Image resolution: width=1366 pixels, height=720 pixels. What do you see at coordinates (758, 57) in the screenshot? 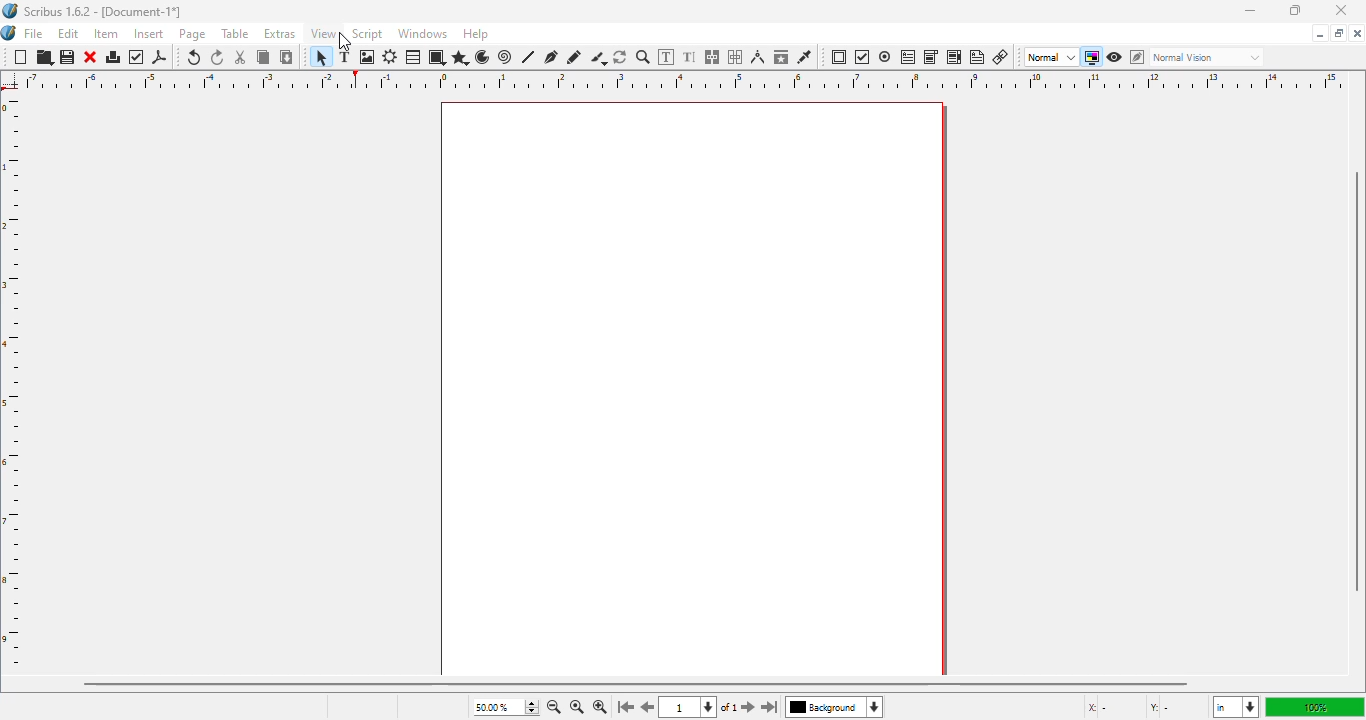
I see `measurements` at bounding box center [758, 57].